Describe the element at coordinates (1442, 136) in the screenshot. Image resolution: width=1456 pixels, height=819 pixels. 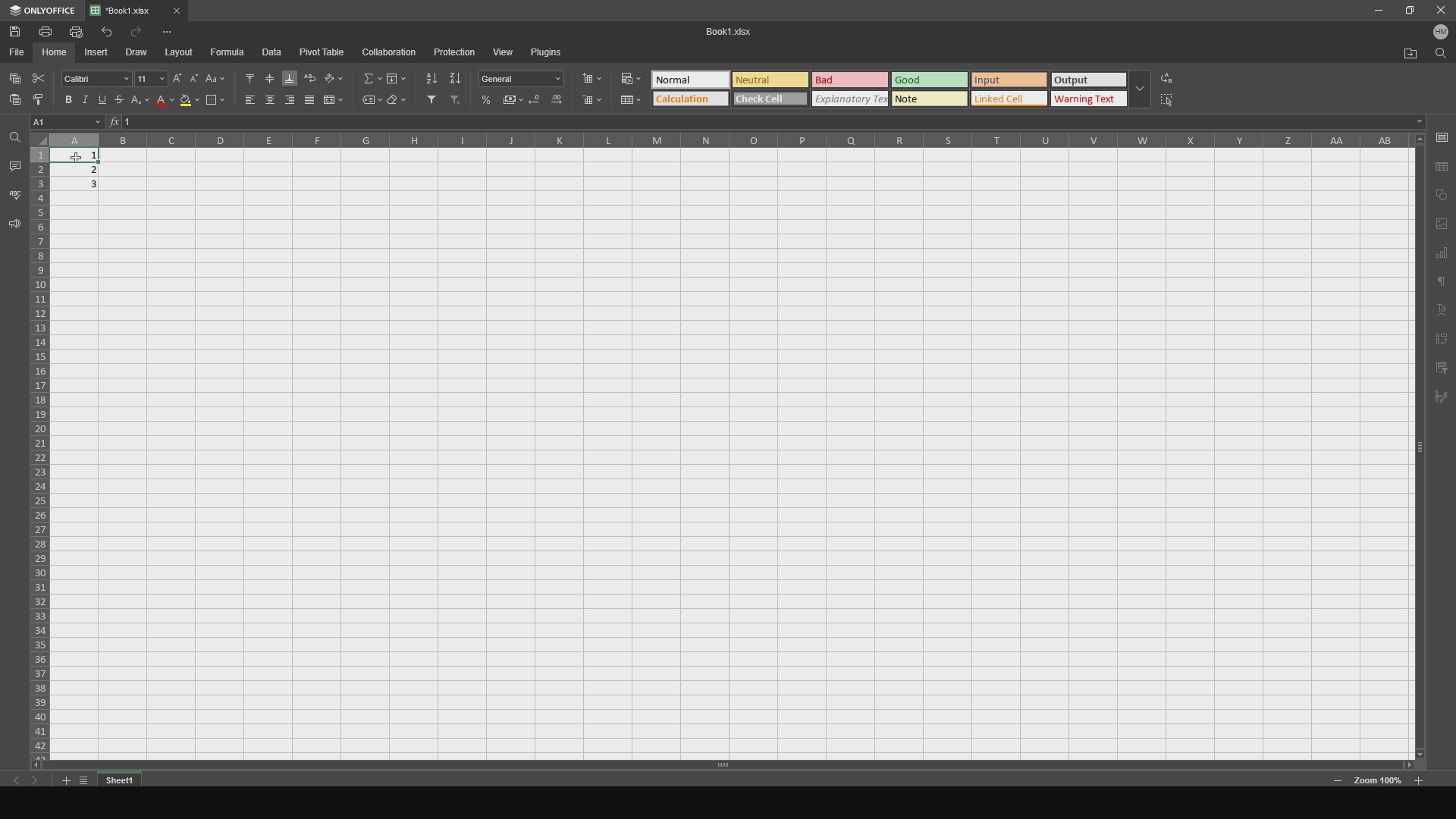
I see `save` at that location.